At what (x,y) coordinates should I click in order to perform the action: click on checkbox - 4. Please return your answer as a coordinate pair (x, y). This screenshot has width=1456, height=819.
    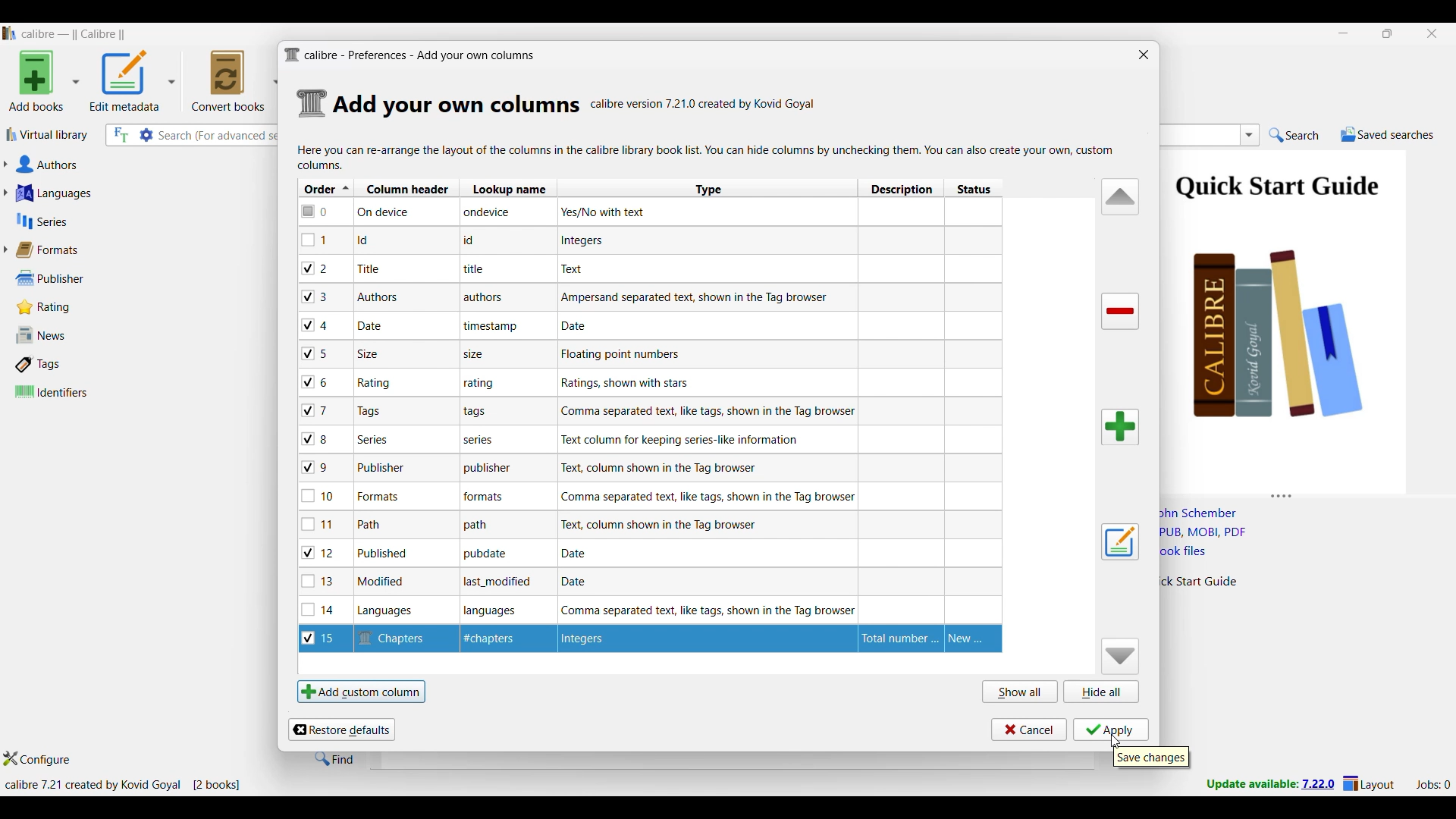
    Looking at the image, I should click on (315, 325).